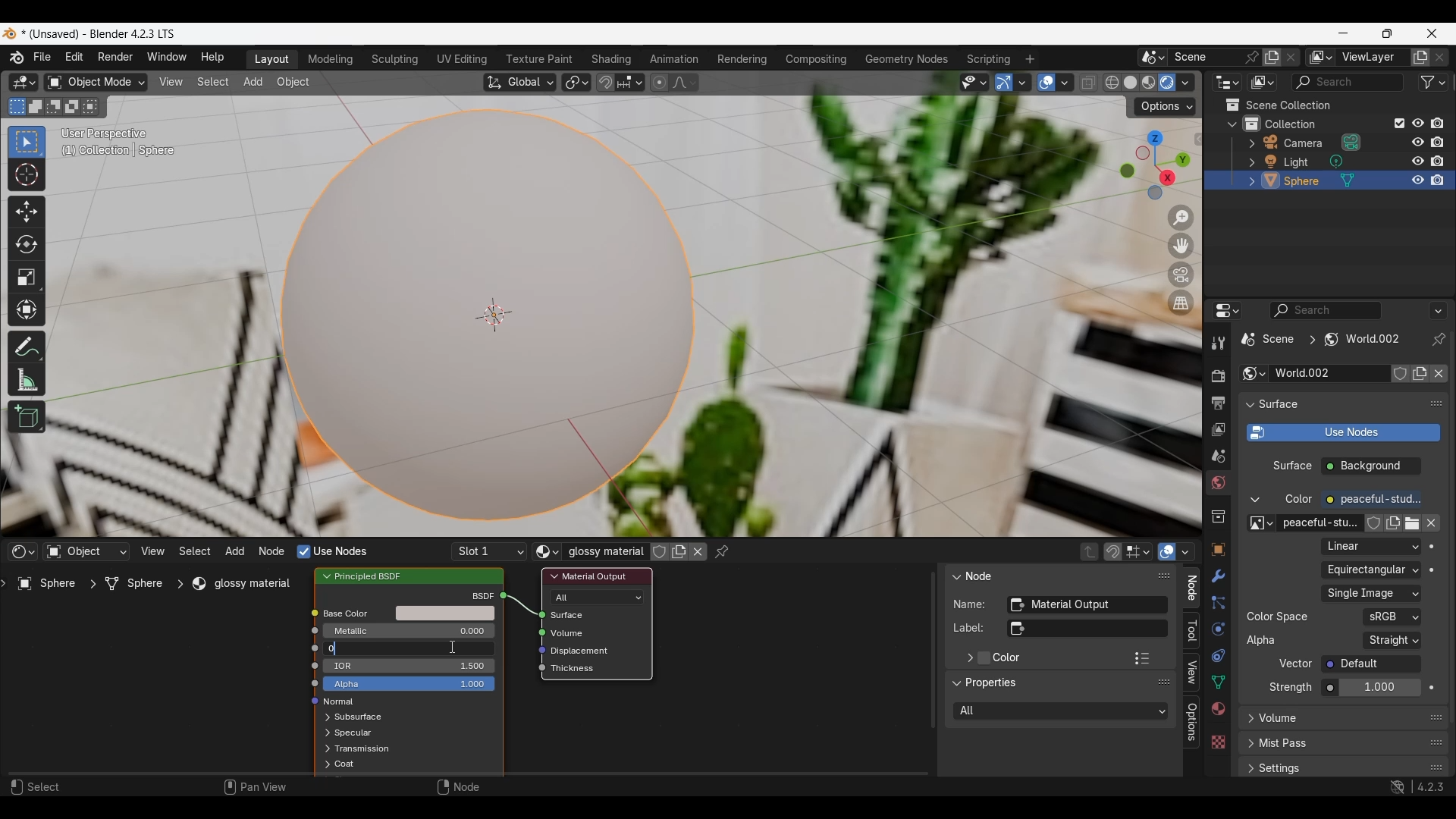 The width and height of the screenshot is (1456, 819). What do you see at coordinates (1164, 576) in the screenshot?
I see `Float panel` at bounding box center [1164, 576].